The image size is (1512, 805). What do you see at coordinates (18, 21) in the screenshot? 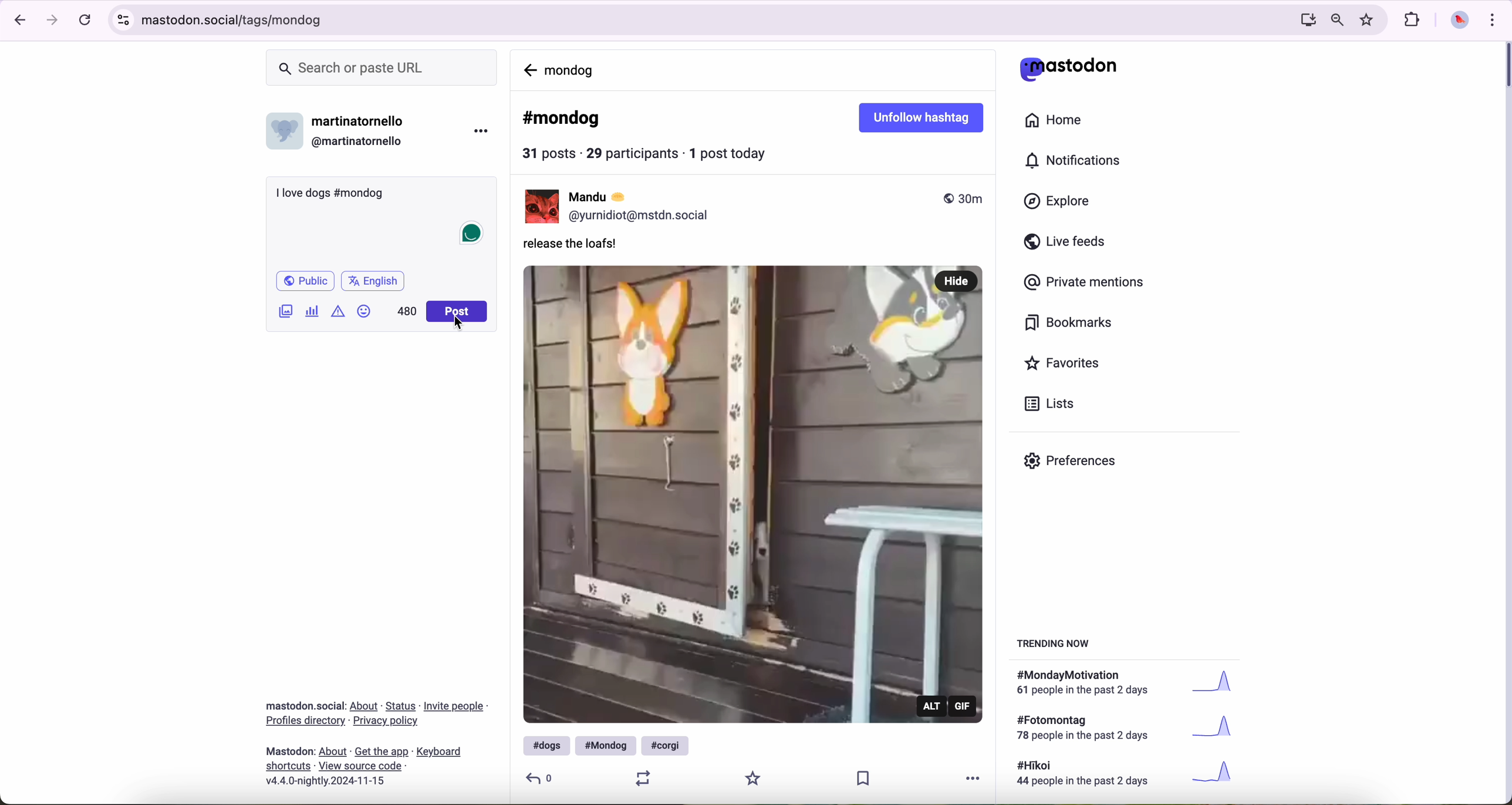
I see `navigate back` at bounding box center [18, 21].